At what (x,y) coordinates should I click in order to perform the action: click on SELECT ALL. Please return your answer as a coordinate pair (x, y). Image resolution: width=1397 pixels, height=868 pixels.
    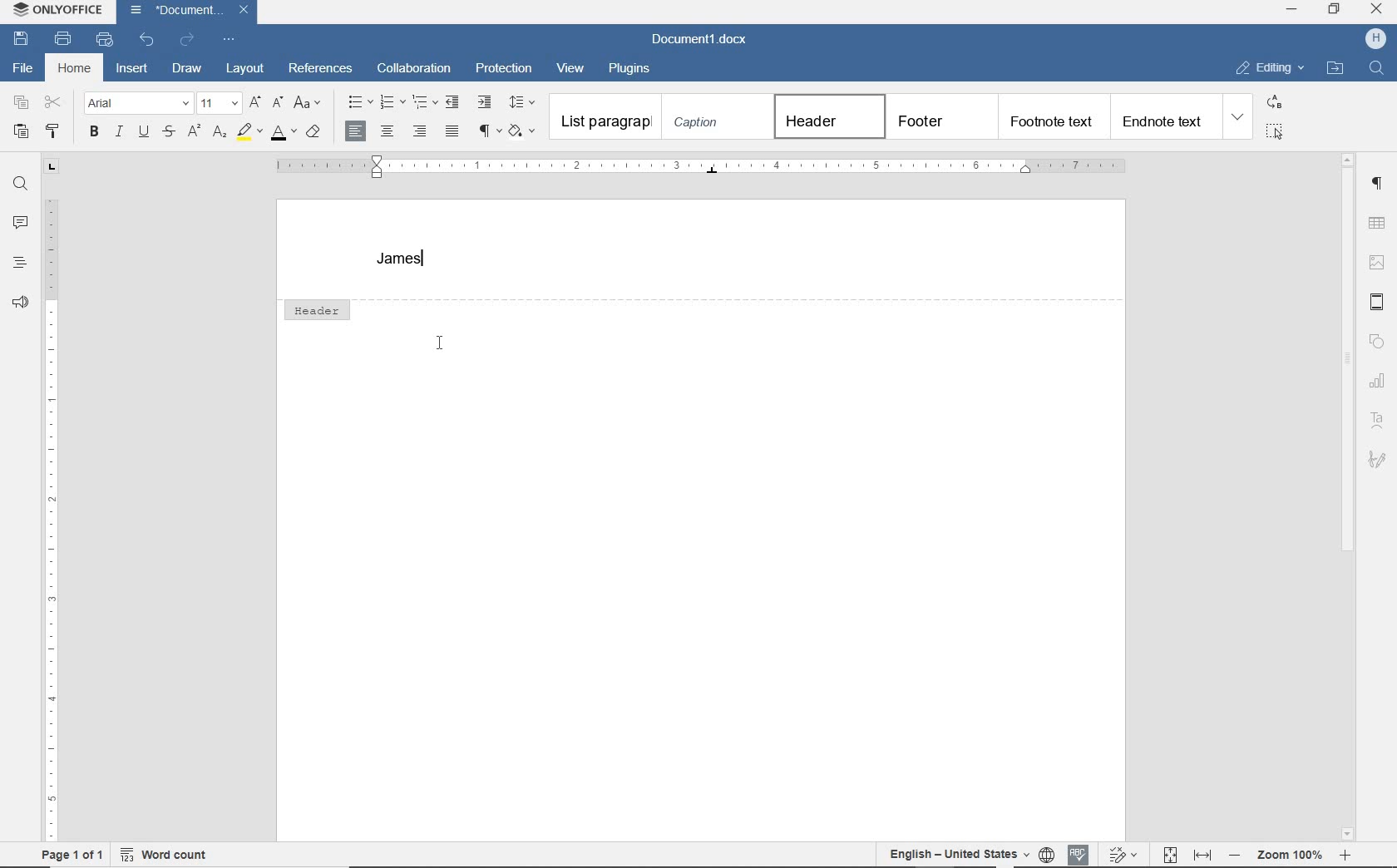
    Looking at the image, I should click on (1275, 131).